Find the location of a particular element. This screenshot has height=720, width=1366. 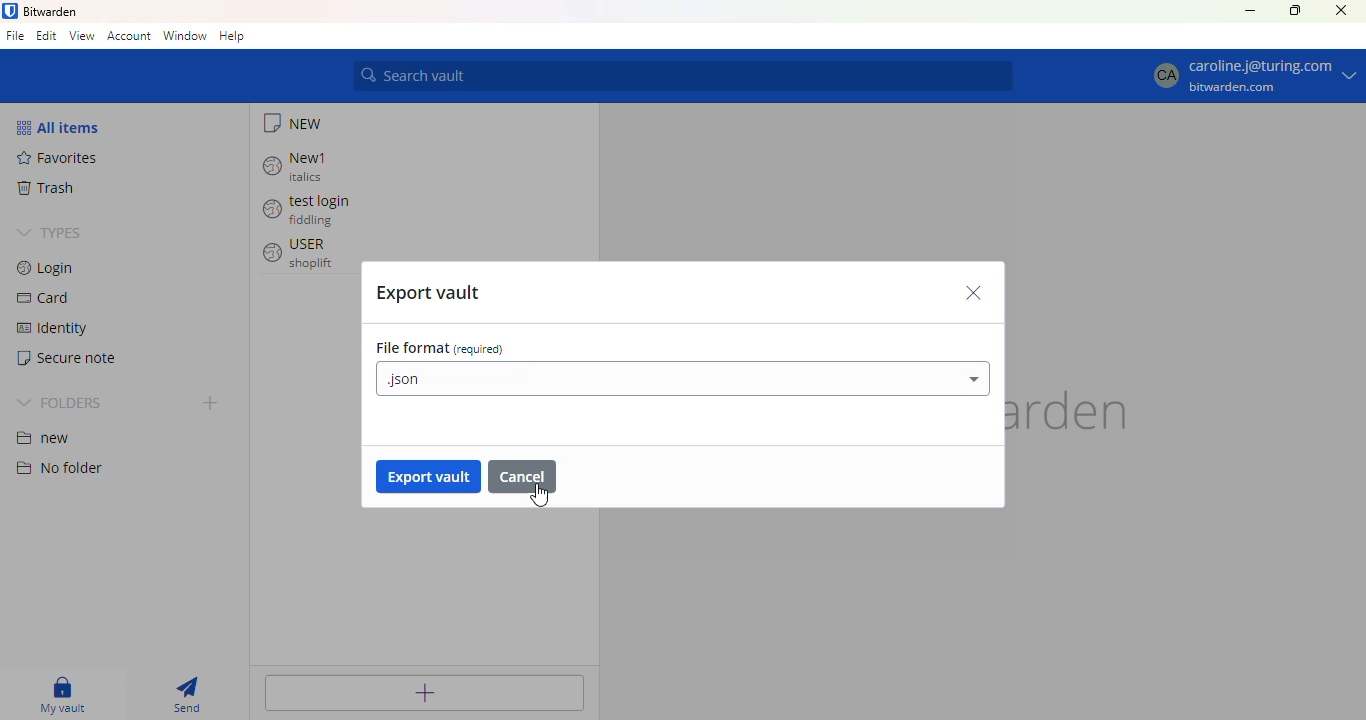

USER      shoplift is located at coordinates (301, 254).